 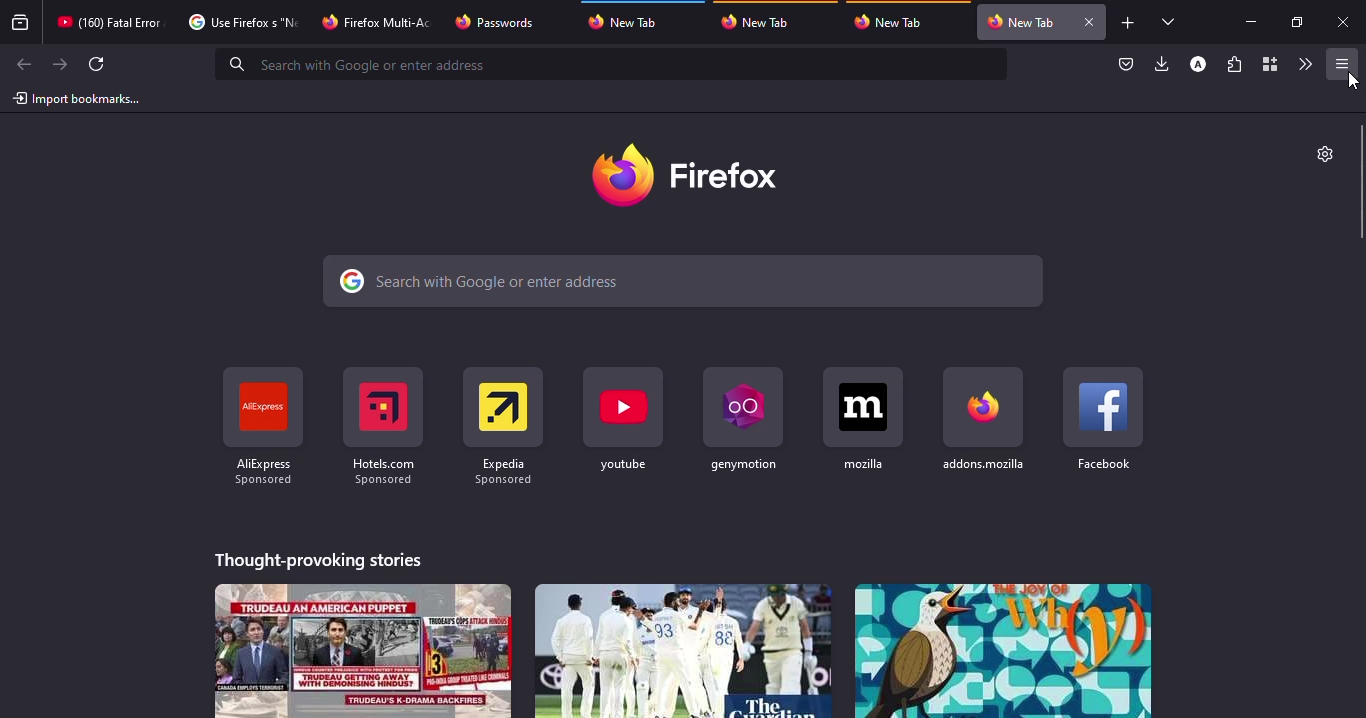 I want to click on save to pocket, so click(x=1126, y=65).